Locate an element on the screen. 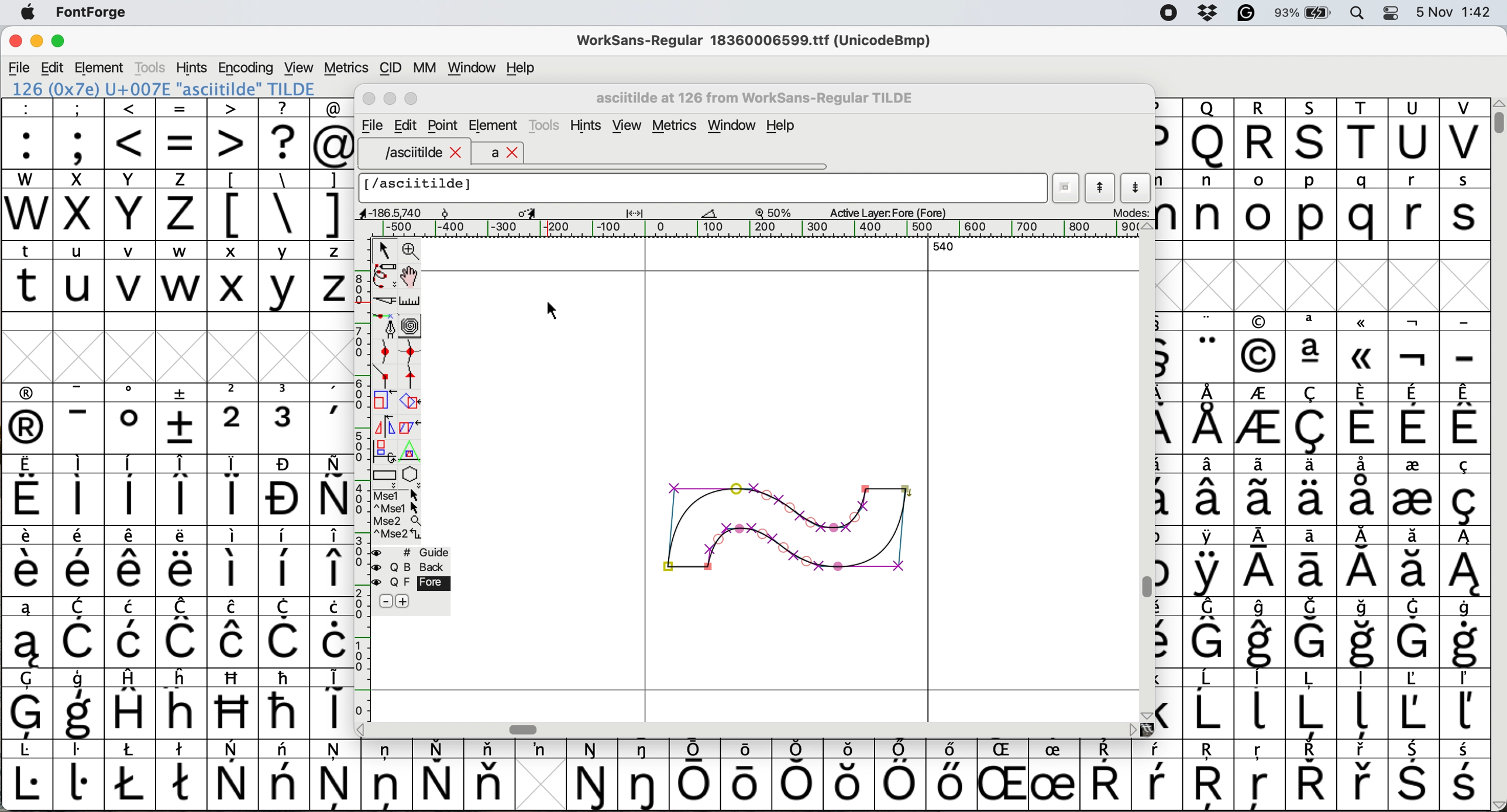  Help is located at coordinates (780, 127).